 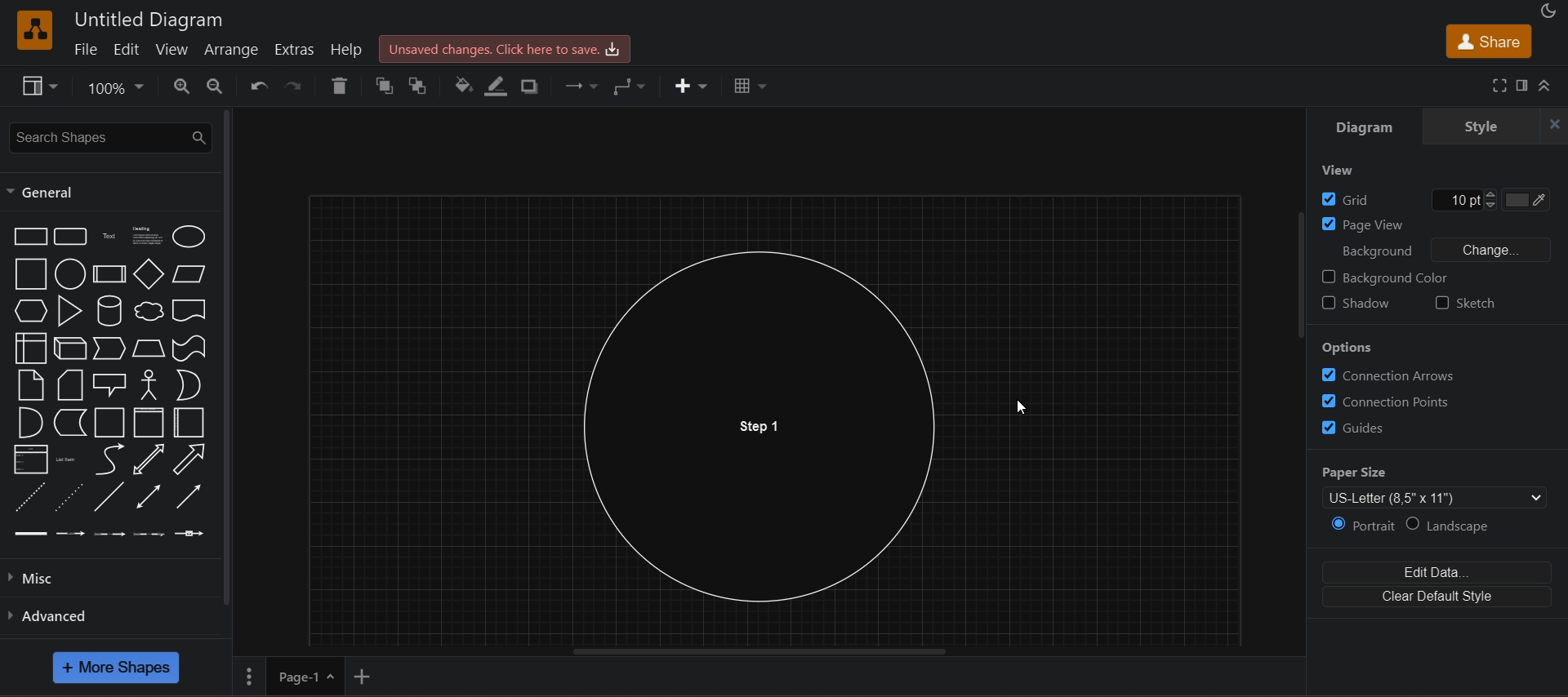 I want to click on zoom out, so click(x=171, y=87).